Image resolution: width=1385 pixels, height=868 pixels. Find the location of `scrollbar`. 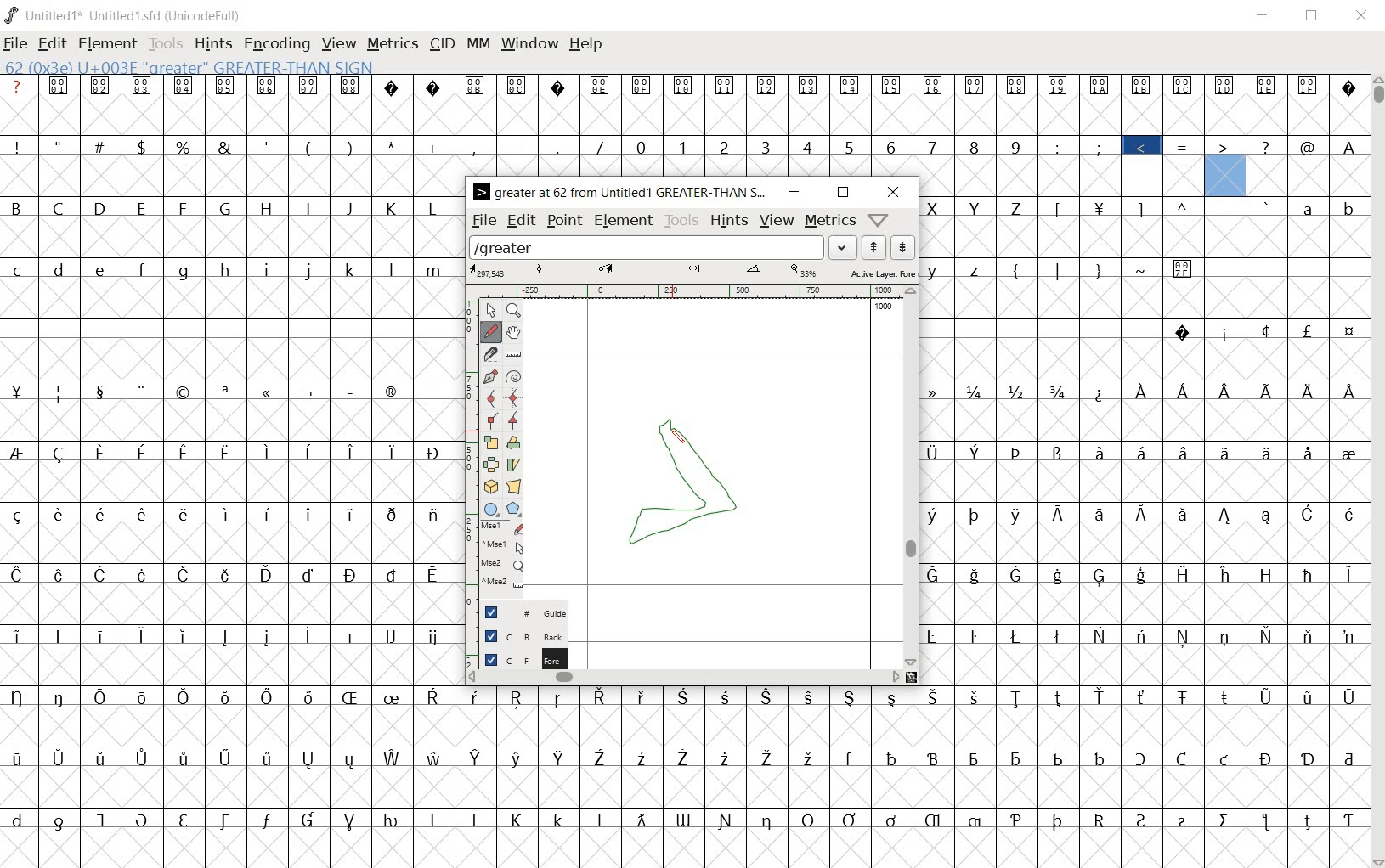

scrollbar is located at coordinates (911, 477).